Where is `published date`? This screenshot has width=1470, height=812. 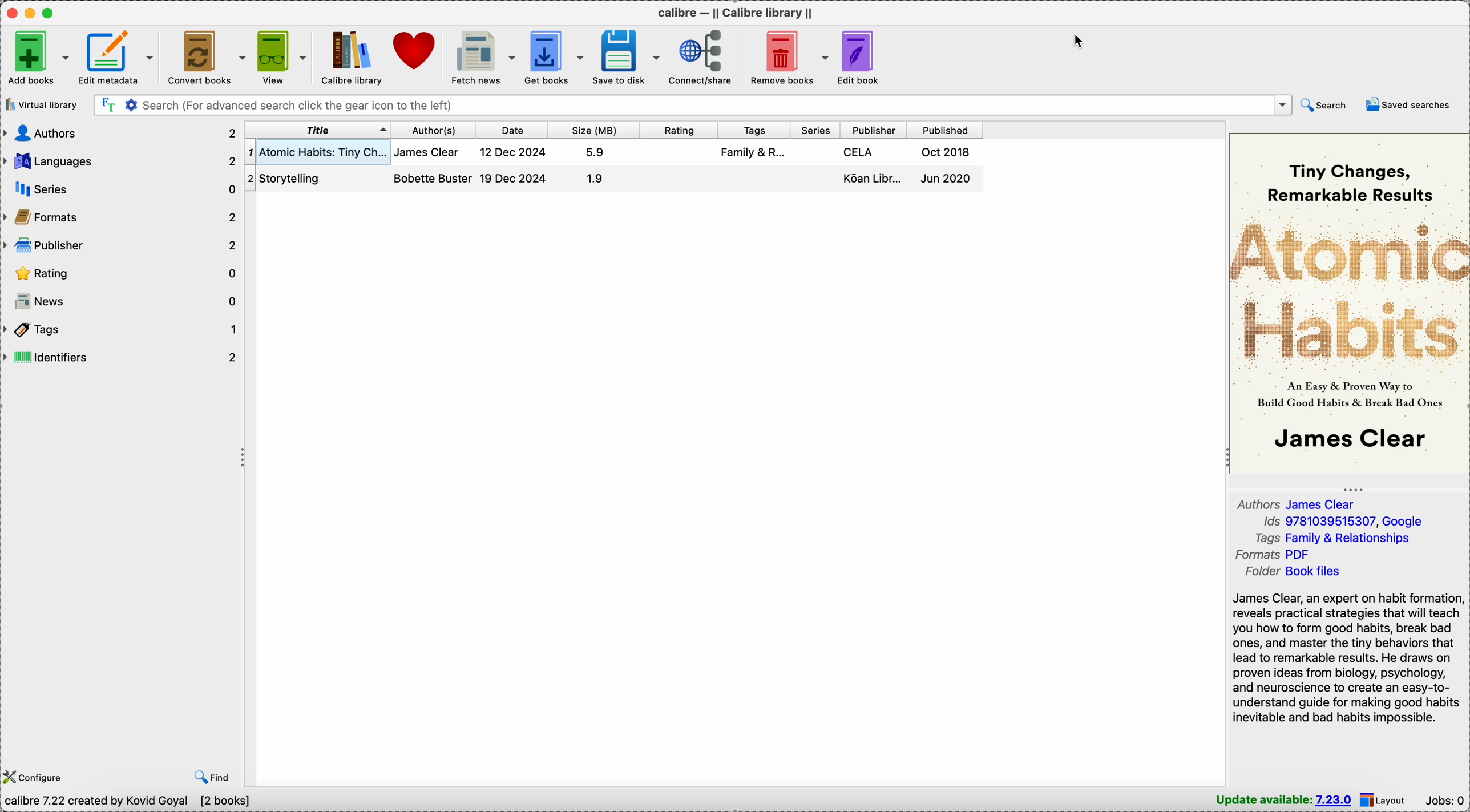 published date is located at coordinates (950, 168).